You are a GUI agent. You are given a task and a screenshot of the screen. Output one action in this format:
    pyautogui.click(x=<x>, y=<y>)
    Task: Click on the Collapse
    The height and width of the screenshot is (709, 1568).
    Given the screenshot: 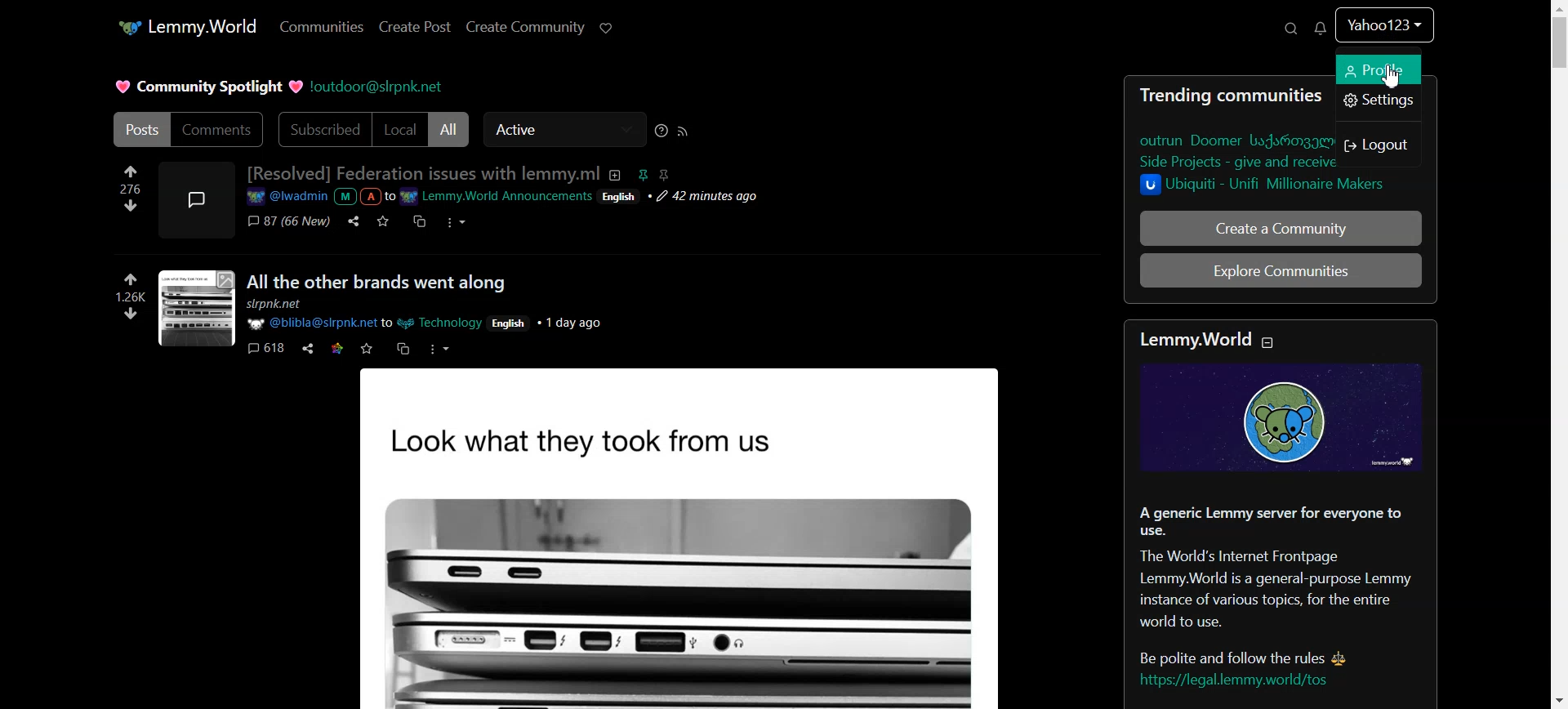 What is the action you would take?
    pyautogui.click(x=1271, y=345)
    